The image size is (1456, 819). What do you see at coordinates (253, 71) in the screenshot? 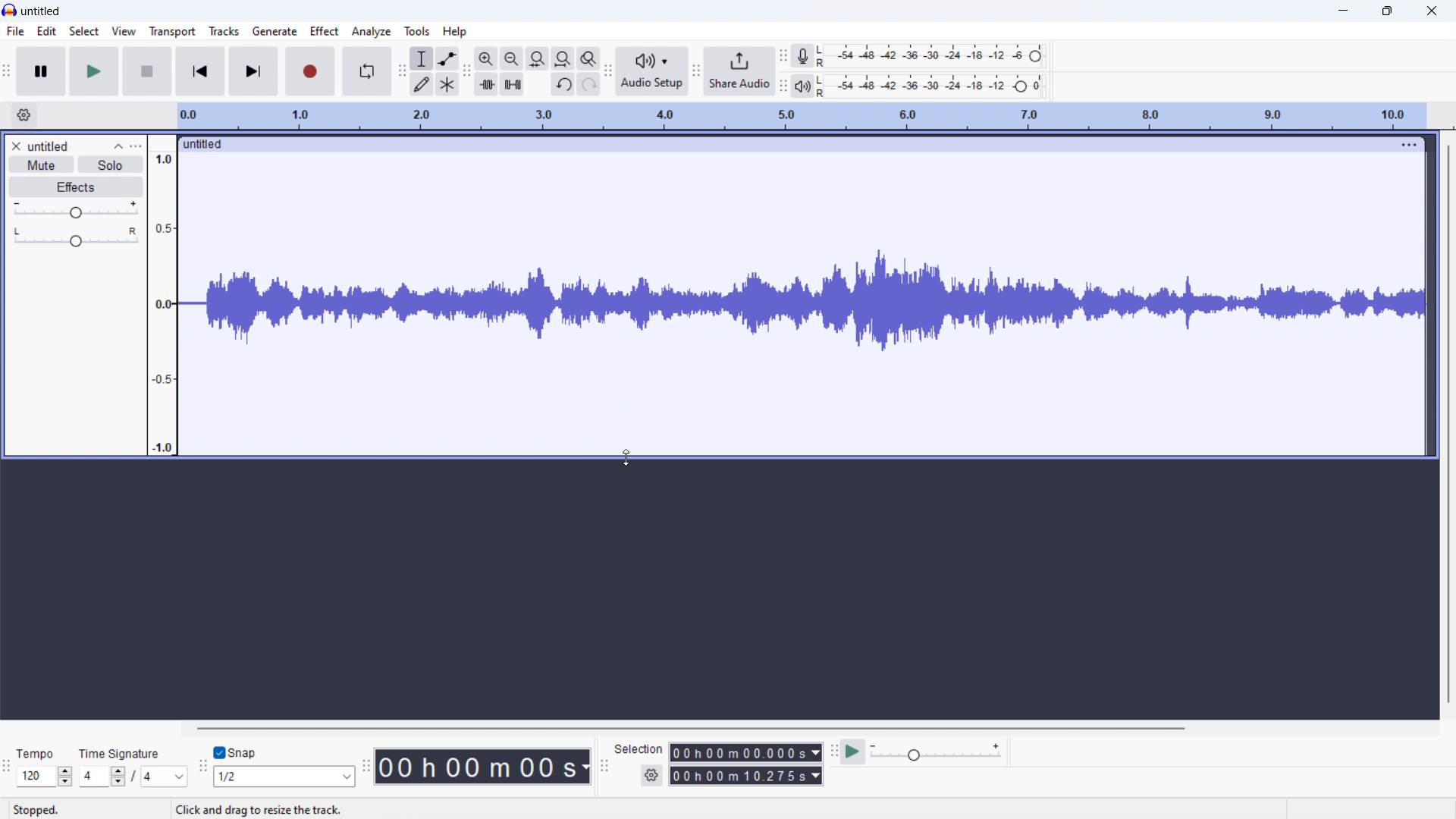
I see `skip to end` at bounding box center [253, 71].